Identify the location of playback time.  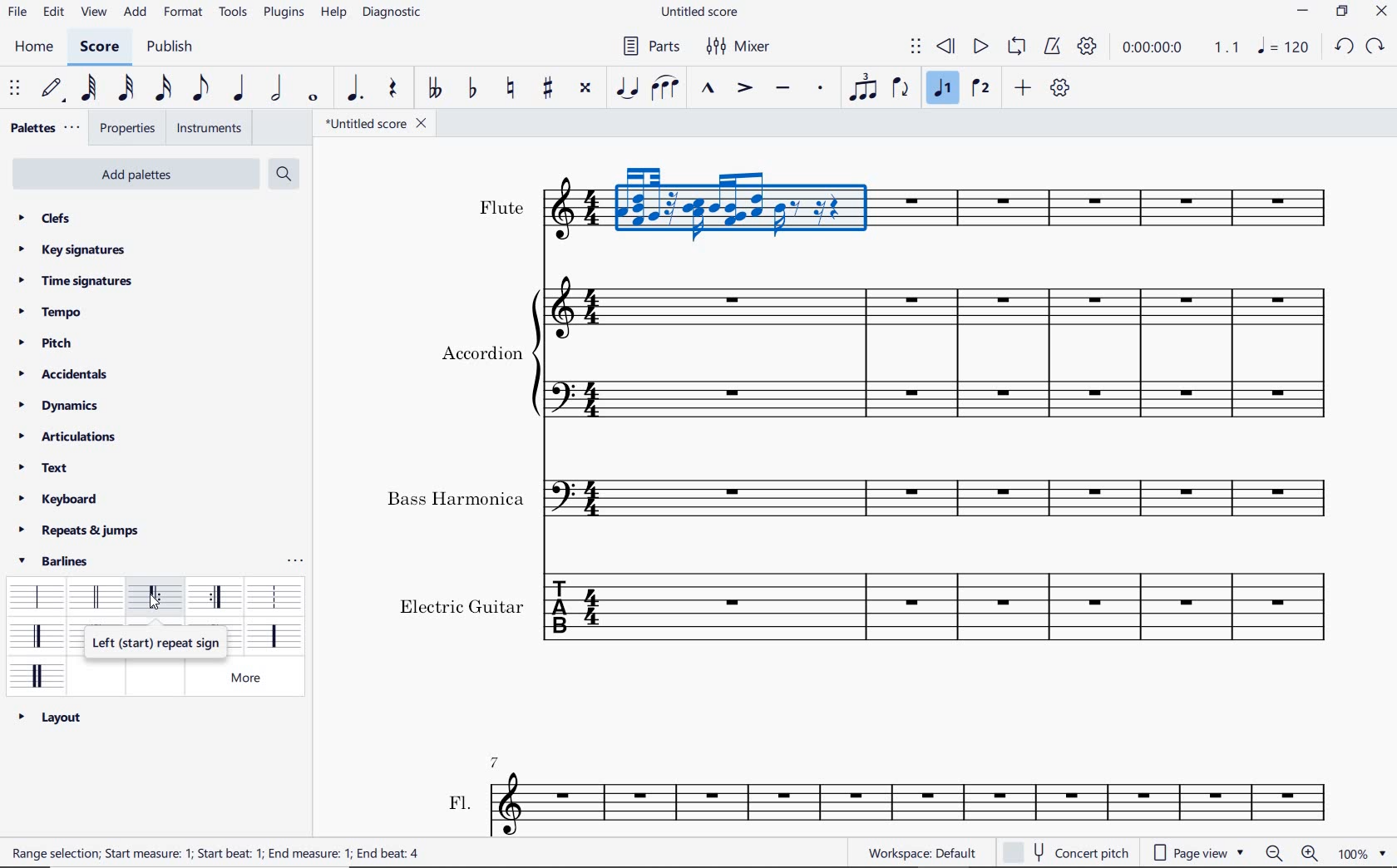
(1154, 49).